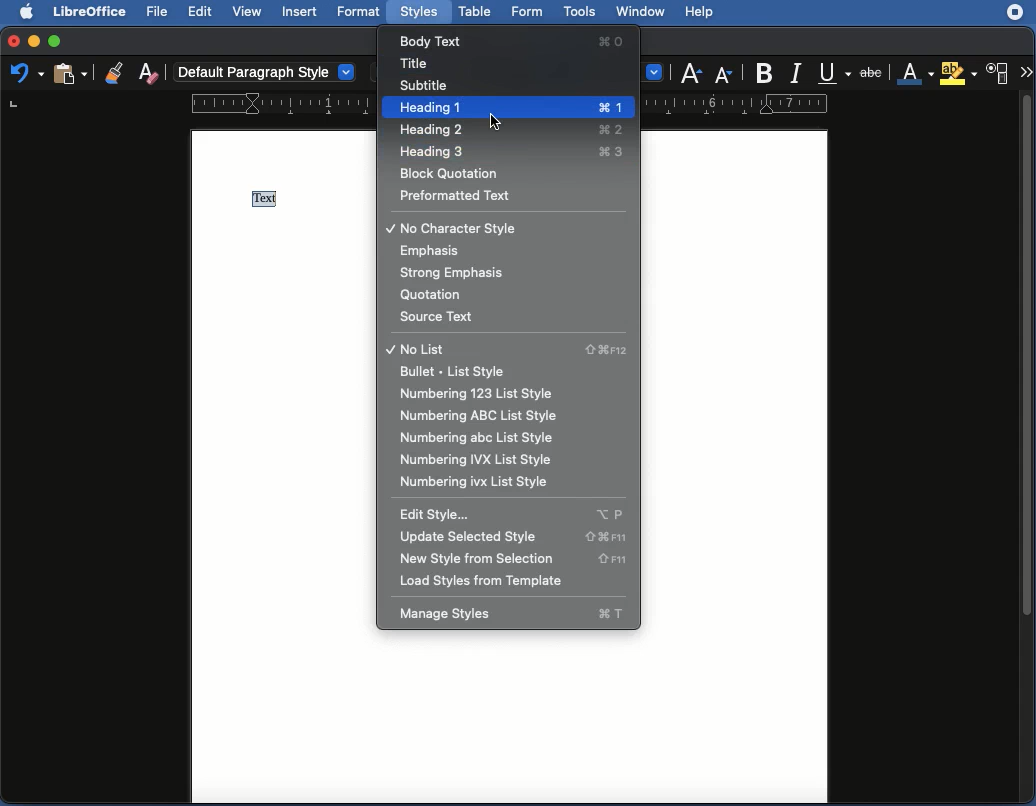 This screenshot has width=1036, height=806. What do you see at coordinates (417, 63) in the screenshot?
I see `Title` at bounding box center [417, 63].